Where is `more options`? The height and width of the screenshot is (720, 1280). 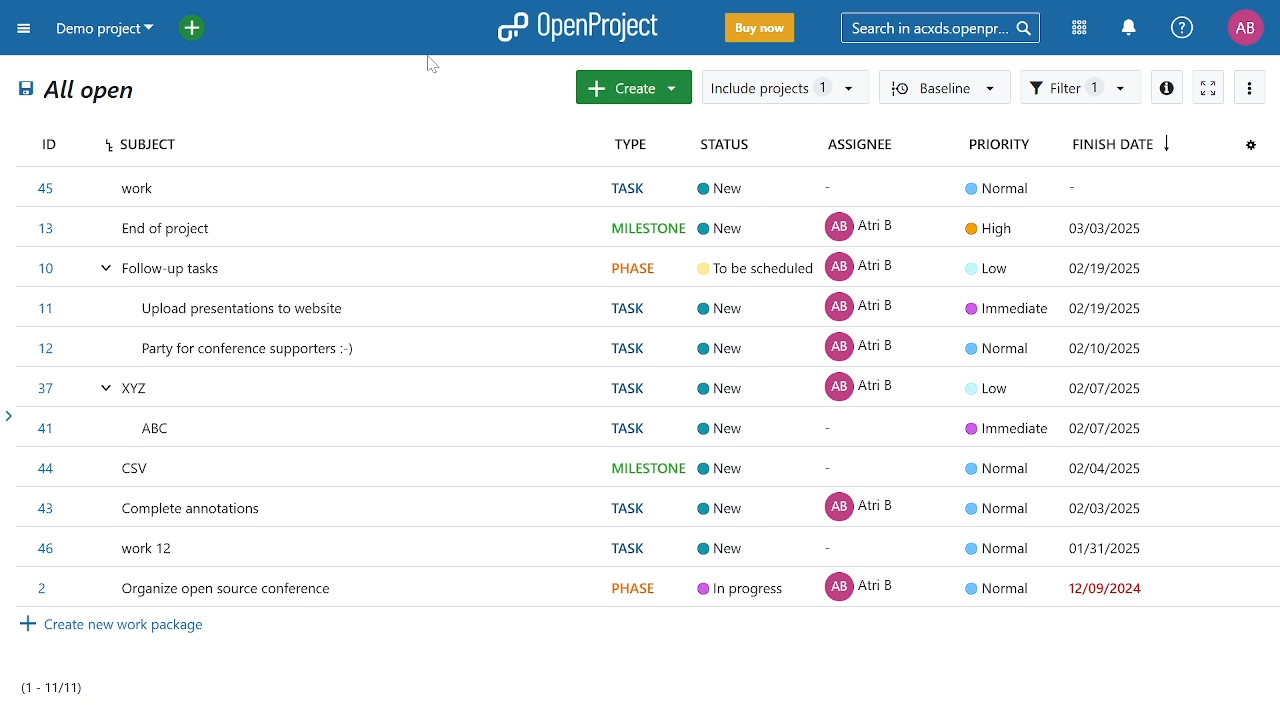
more options is located at coordinates (1250, 87).